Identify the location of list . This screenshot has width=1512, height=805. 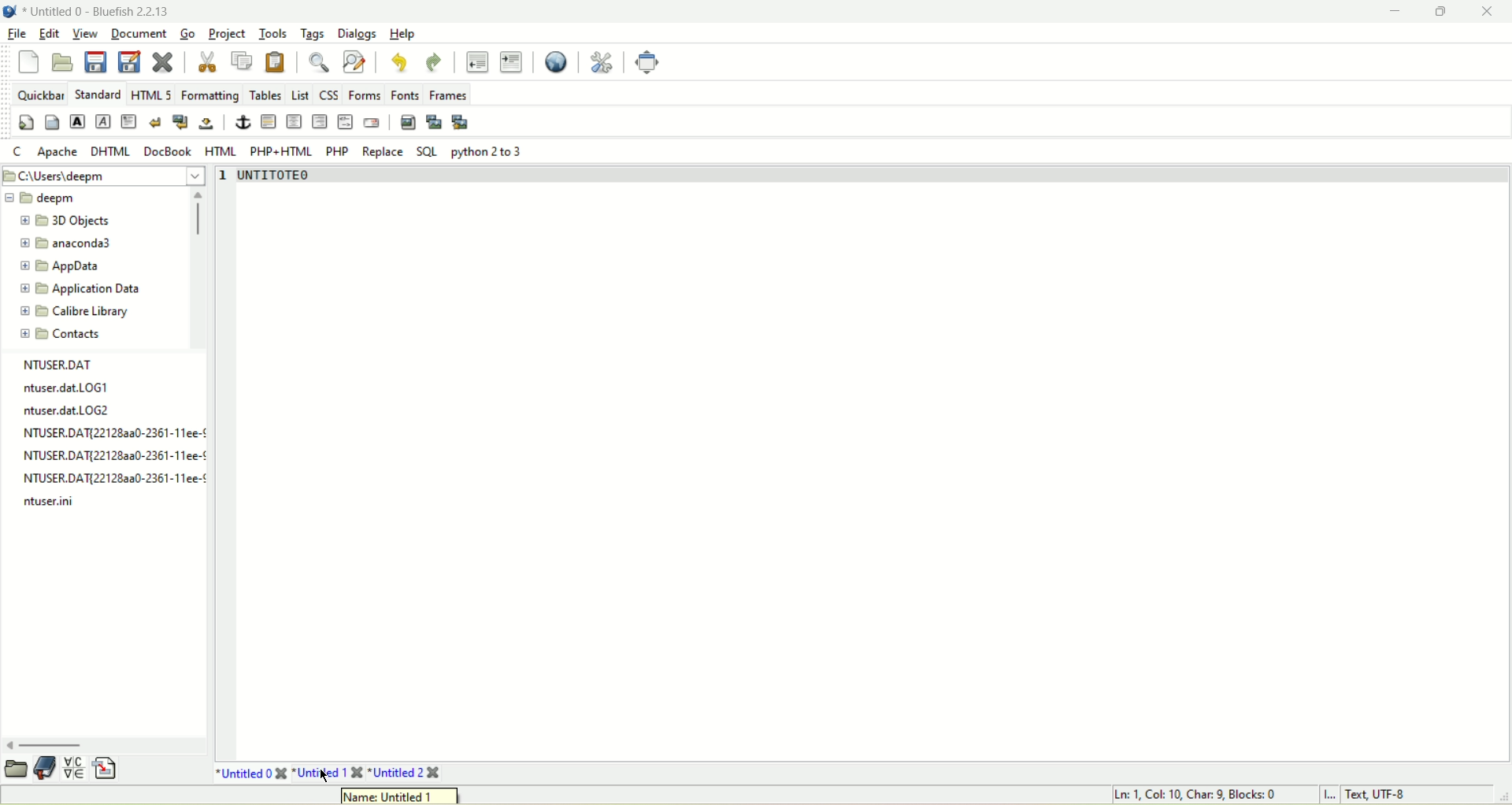
(301, 96).